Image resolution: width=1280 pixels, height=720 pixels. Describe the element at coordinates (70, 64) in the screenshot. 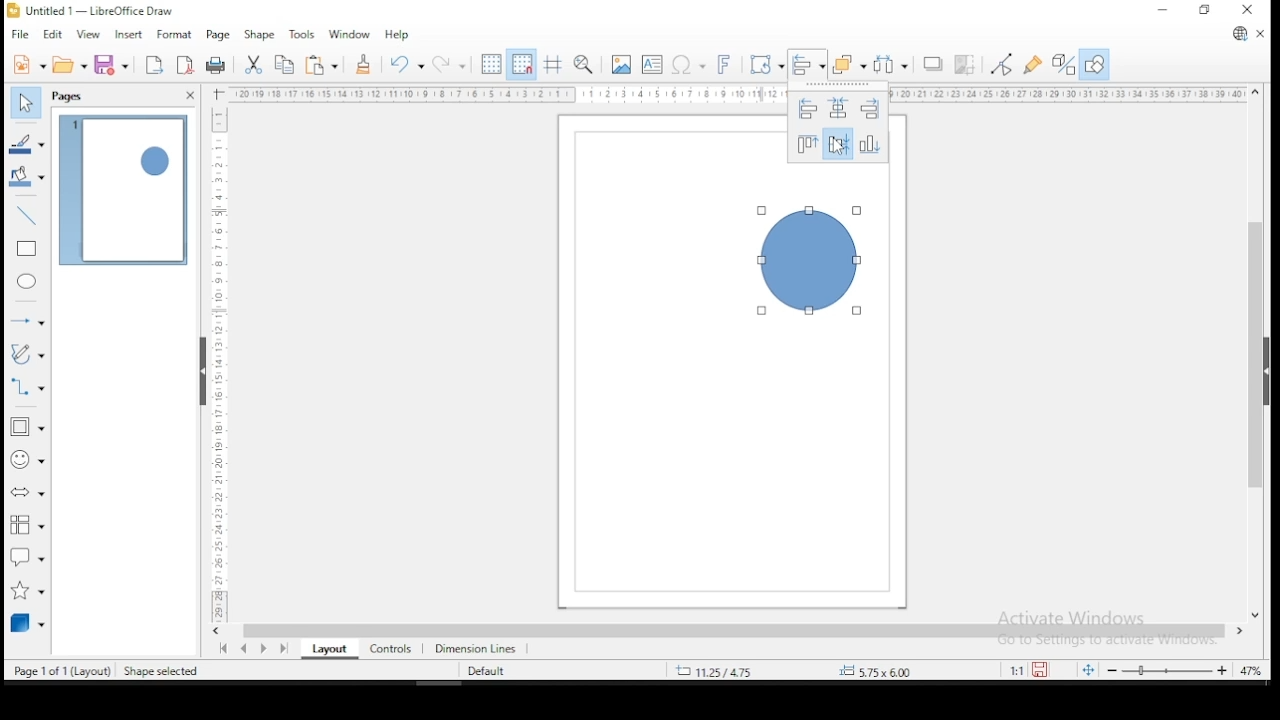

I see `open` at that location.